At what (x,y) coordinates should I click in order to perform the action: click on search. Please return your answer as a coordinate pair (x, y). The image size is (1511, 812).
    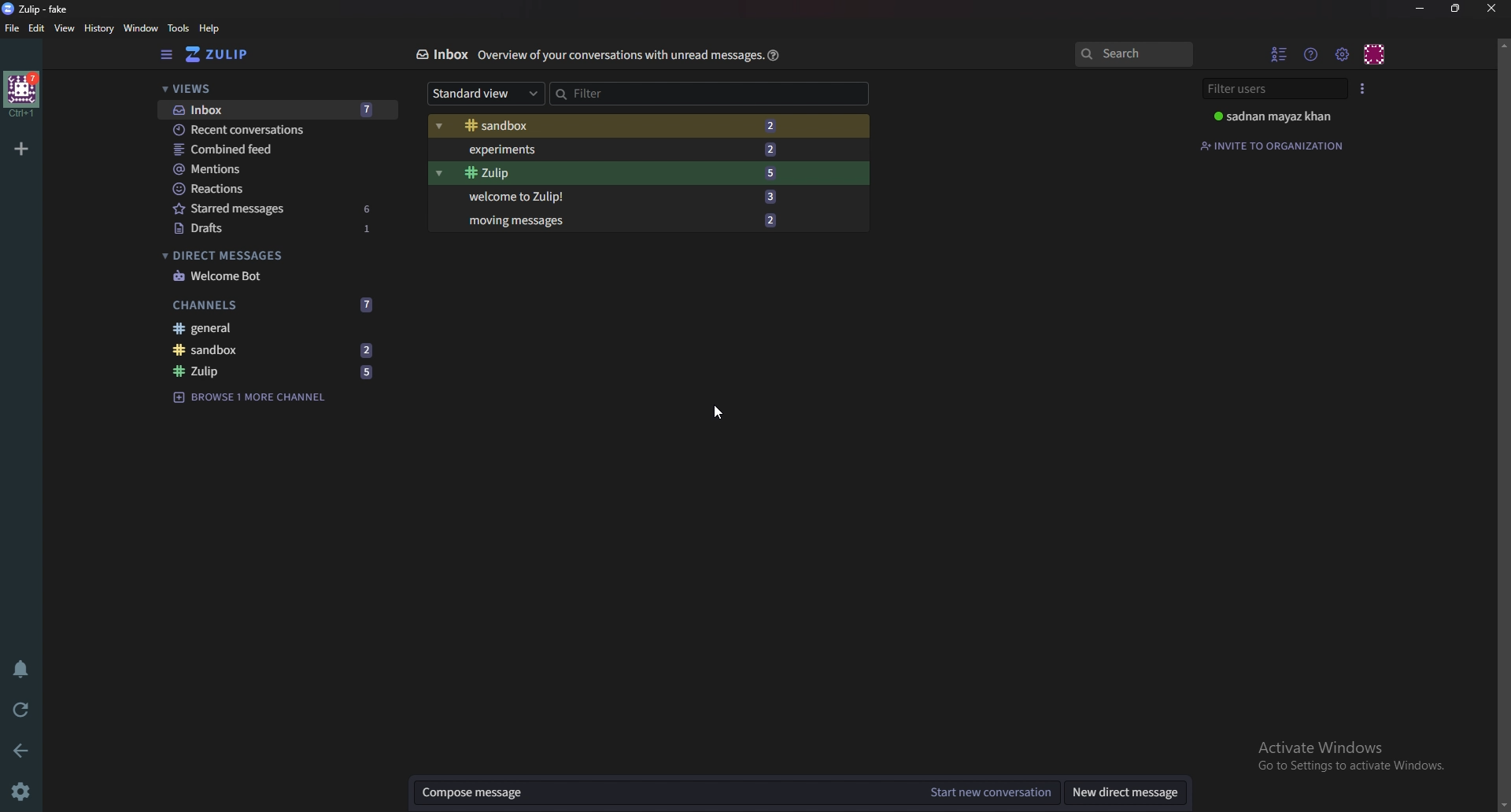
    Looking at the image, I should click on (1137, 54).